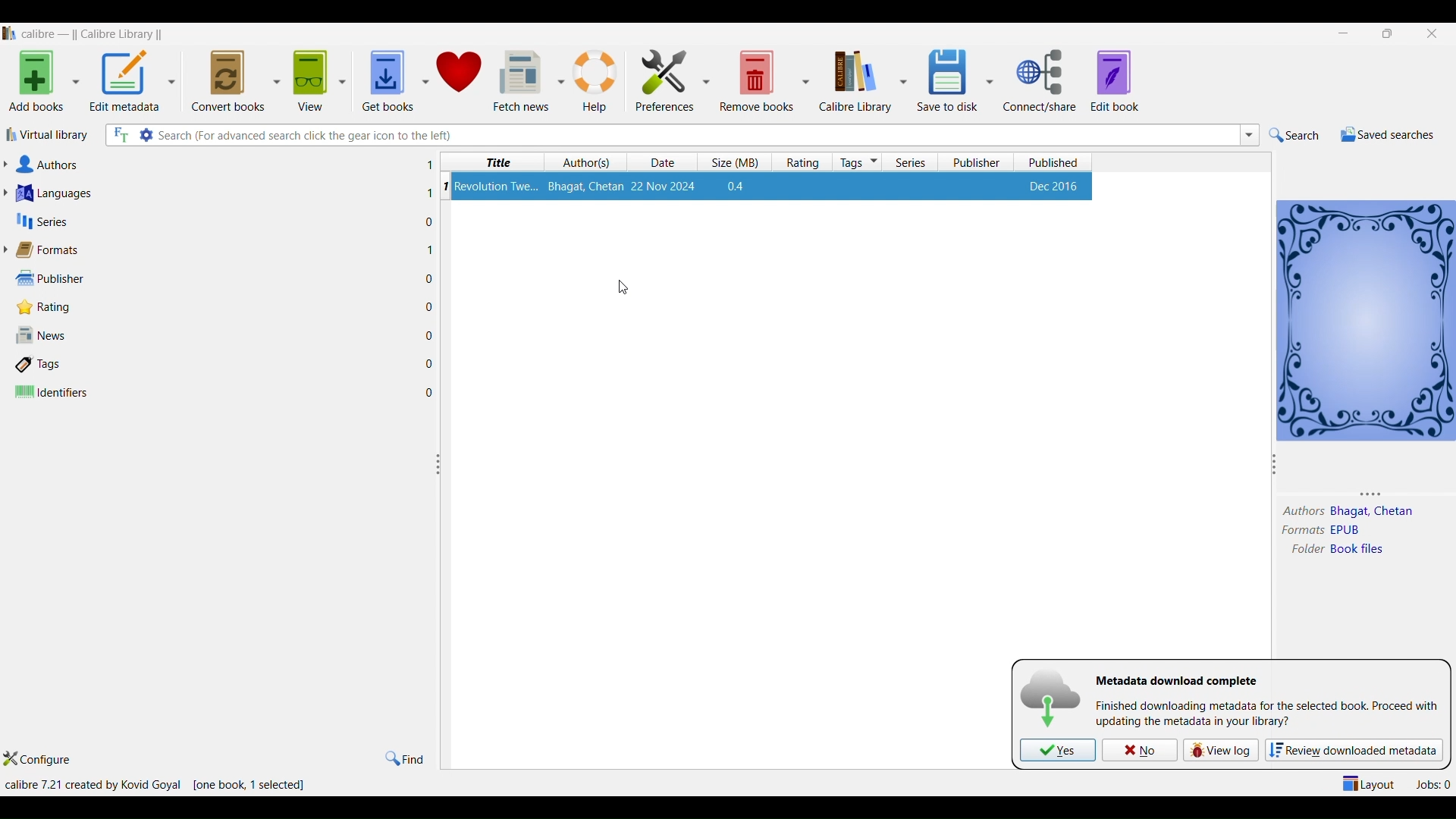 This screenshot has height=819, width=1456. What do you see at coordinates (1299, 530) in the screenshot?
I see `formats` at bounding box center [1299, 530].